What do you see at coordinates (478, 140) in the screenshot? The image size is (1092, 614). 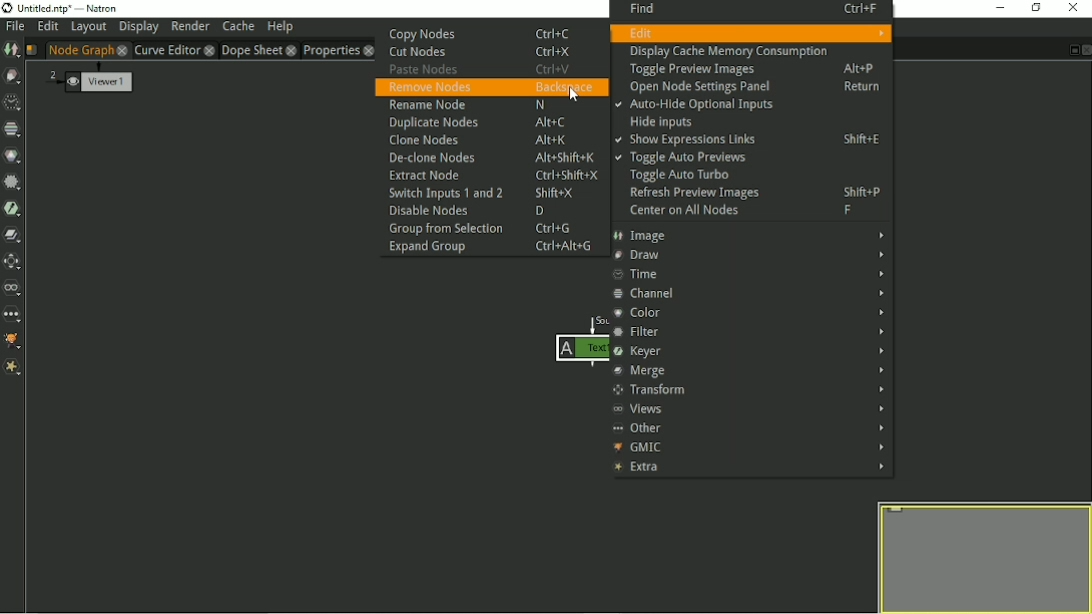 I see `Clone Nodes` at bounding box center [478, 140].